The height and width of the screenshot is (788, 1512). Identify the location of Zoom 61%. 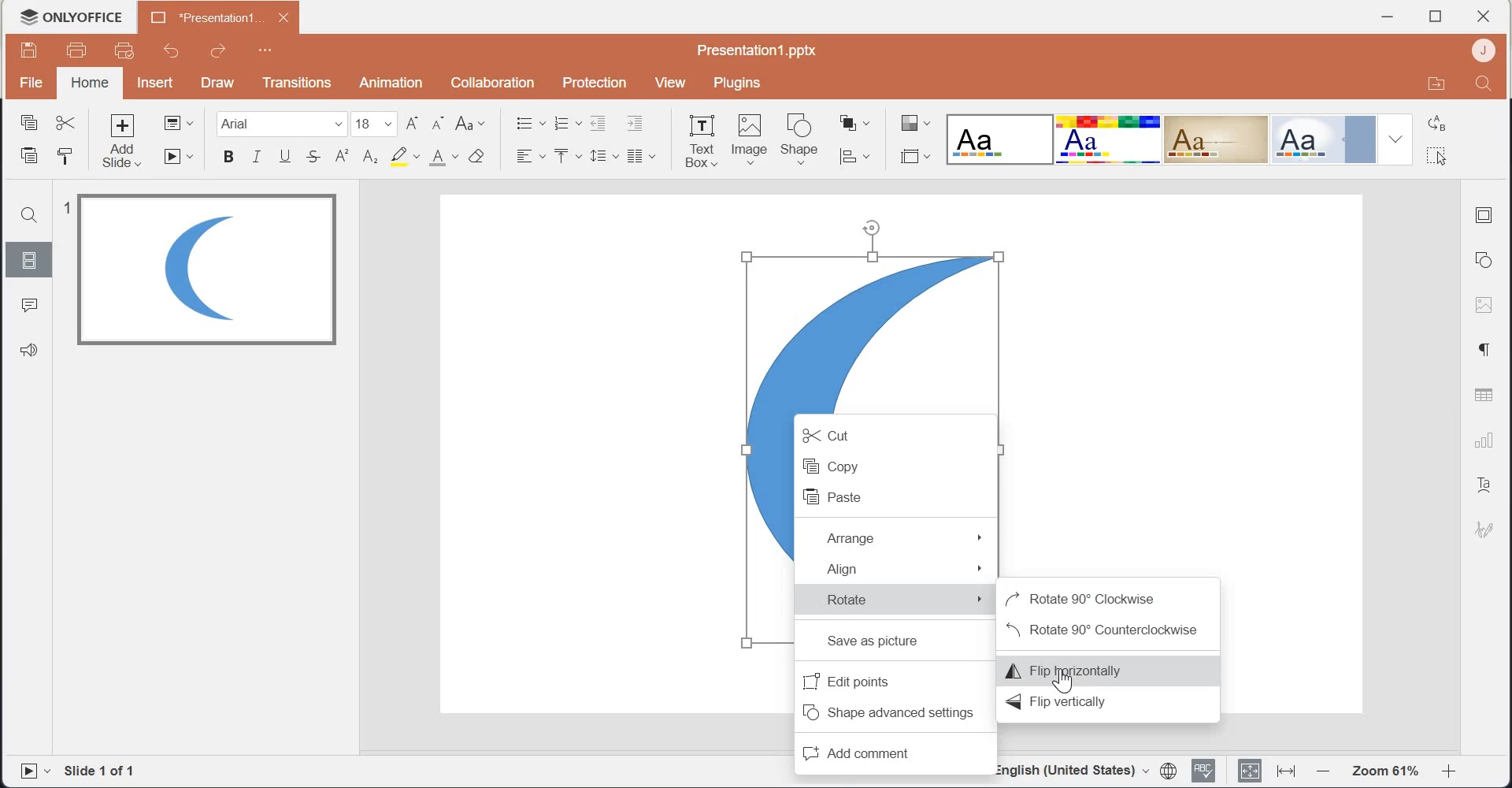
(1384, 771).